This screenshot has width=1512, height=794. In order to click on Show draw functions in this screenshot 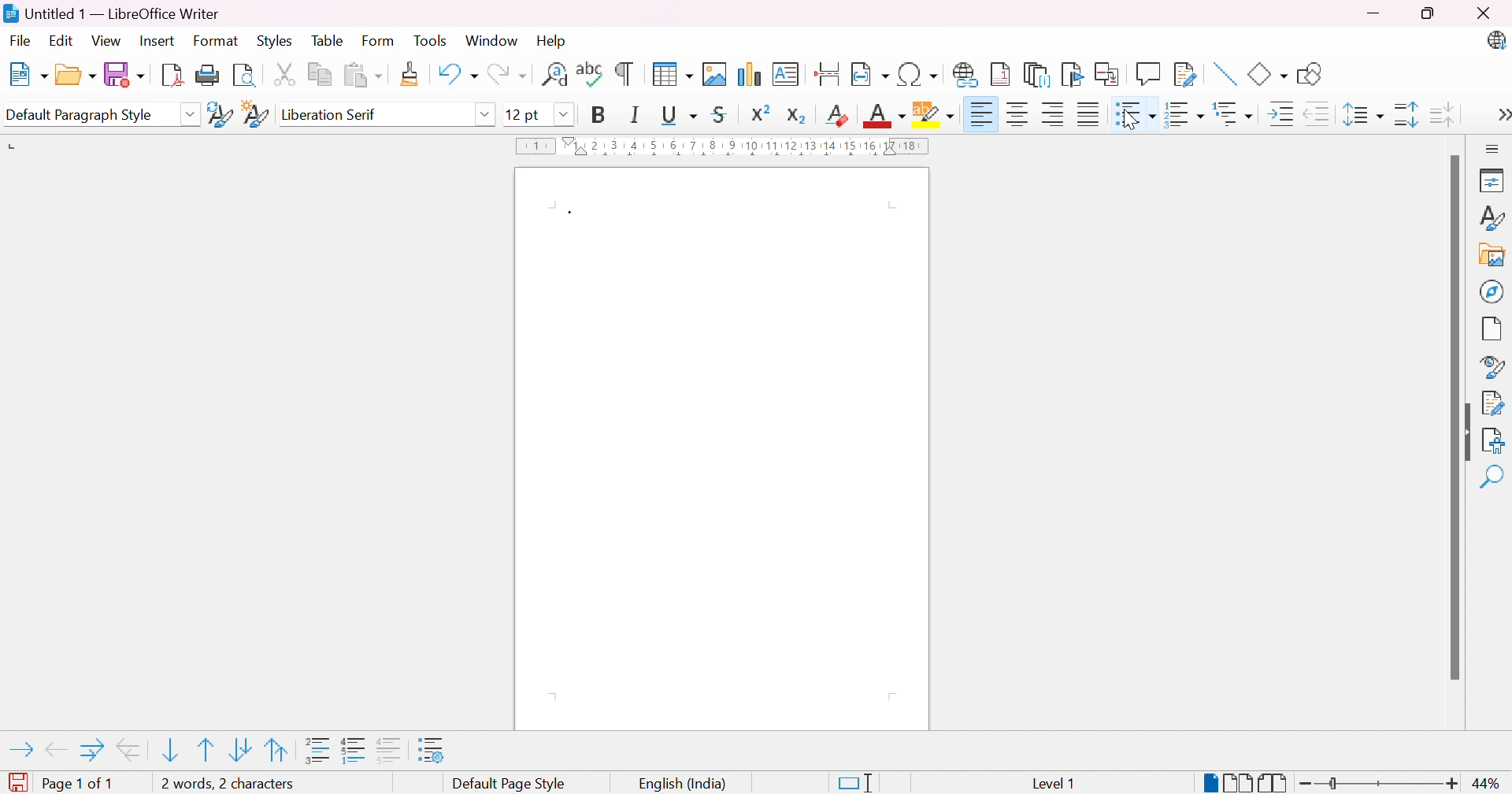, I will do `click(1311, 74)`.